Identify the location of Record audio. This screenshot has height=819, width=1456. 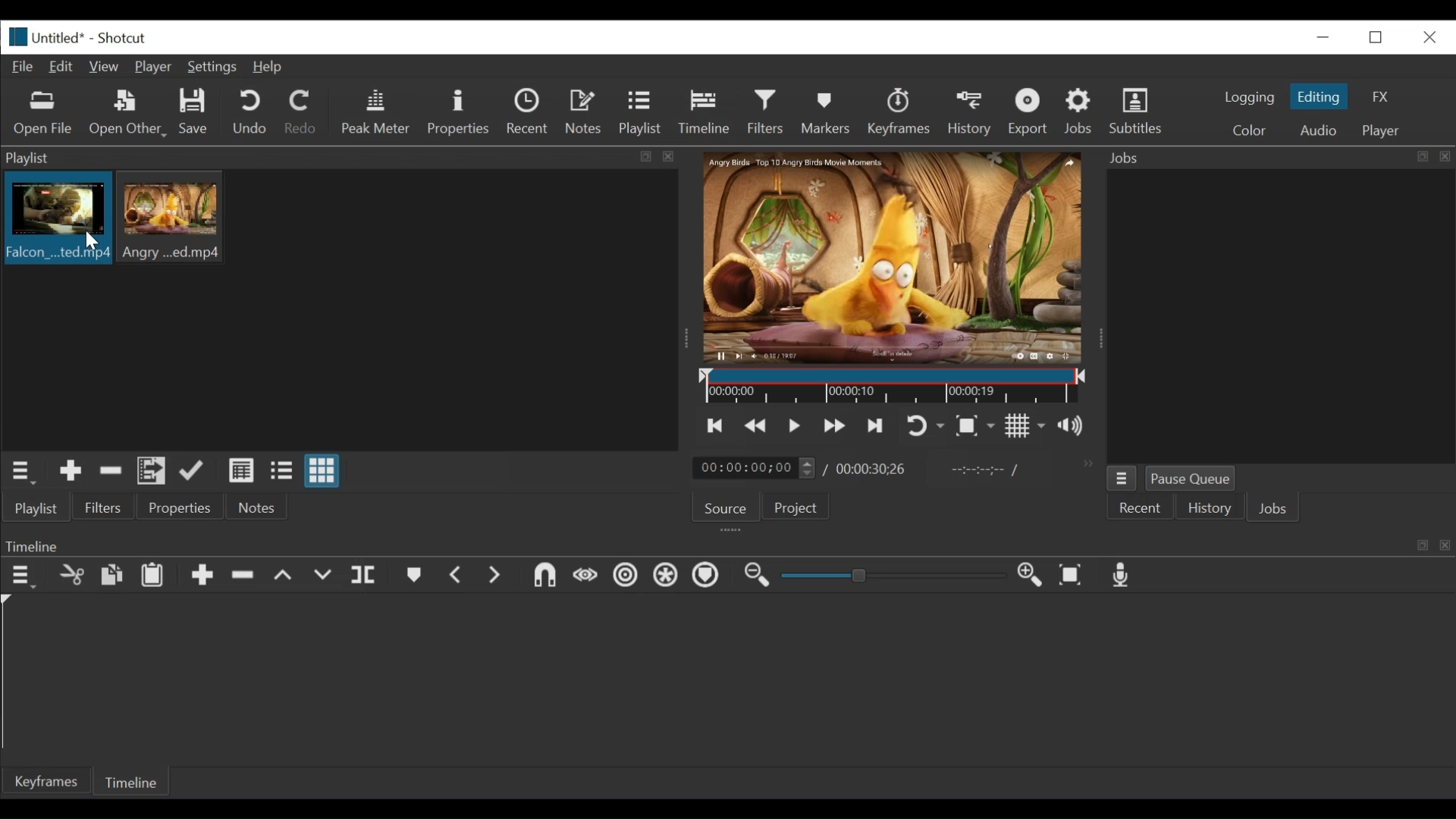
(1122, 579).